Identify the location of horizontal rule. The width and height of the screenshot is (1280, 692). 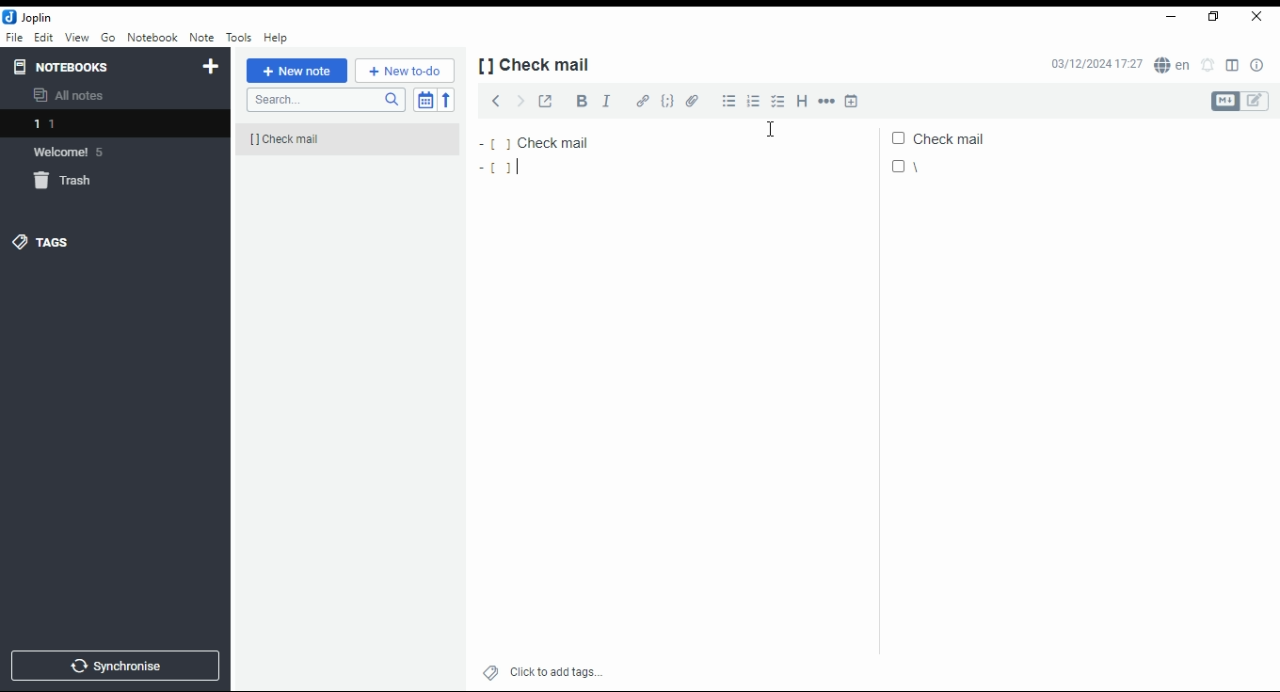
(827, 101).